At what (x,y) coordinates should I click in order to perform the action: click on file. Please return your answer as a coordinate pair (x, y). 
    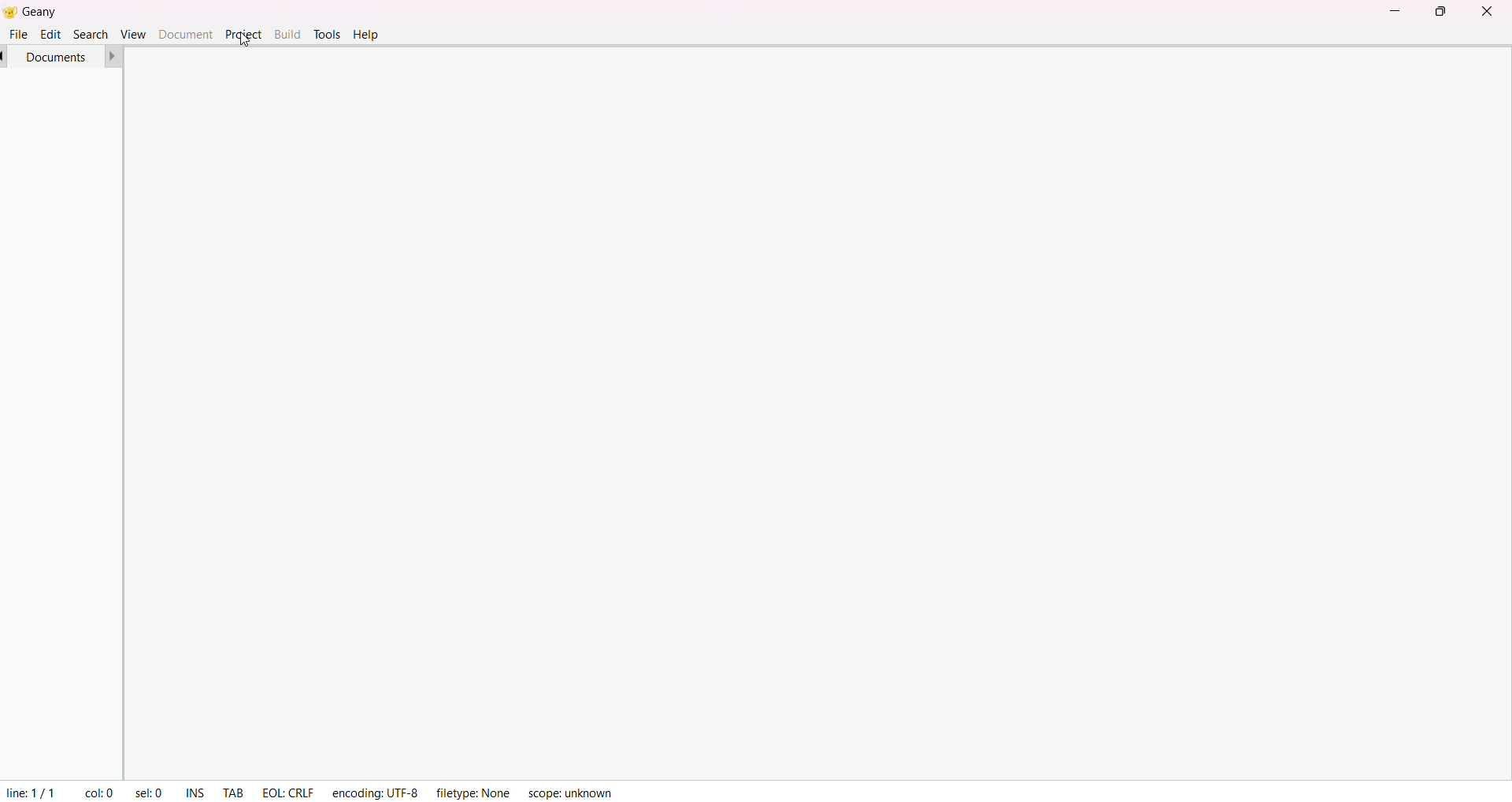
    Looking at the image, I should click on (19, 34).